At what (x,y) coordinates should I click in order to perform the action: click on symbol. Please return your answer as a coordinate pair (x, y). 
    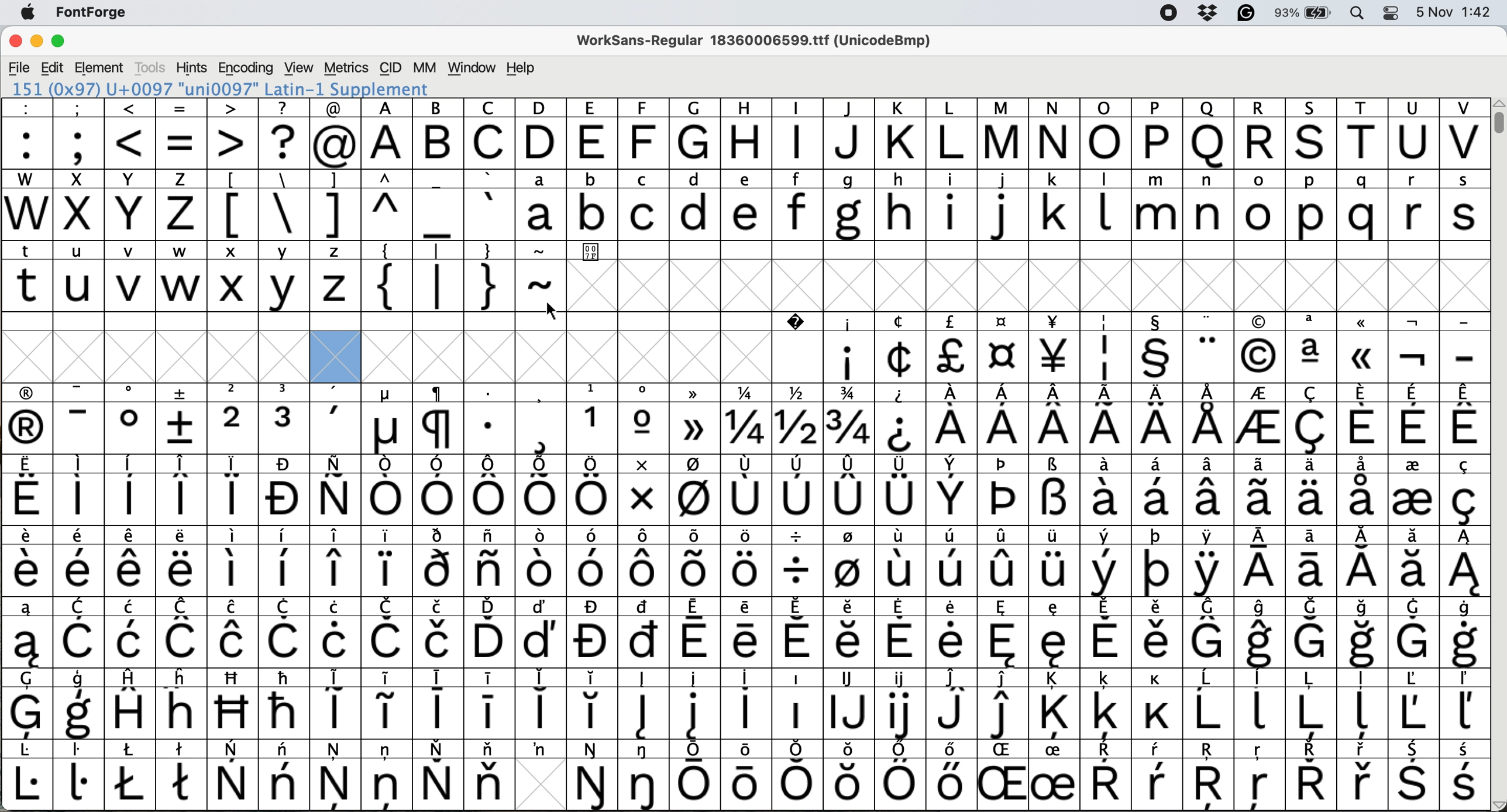
    Looking at the image, I should click on (441, 490).